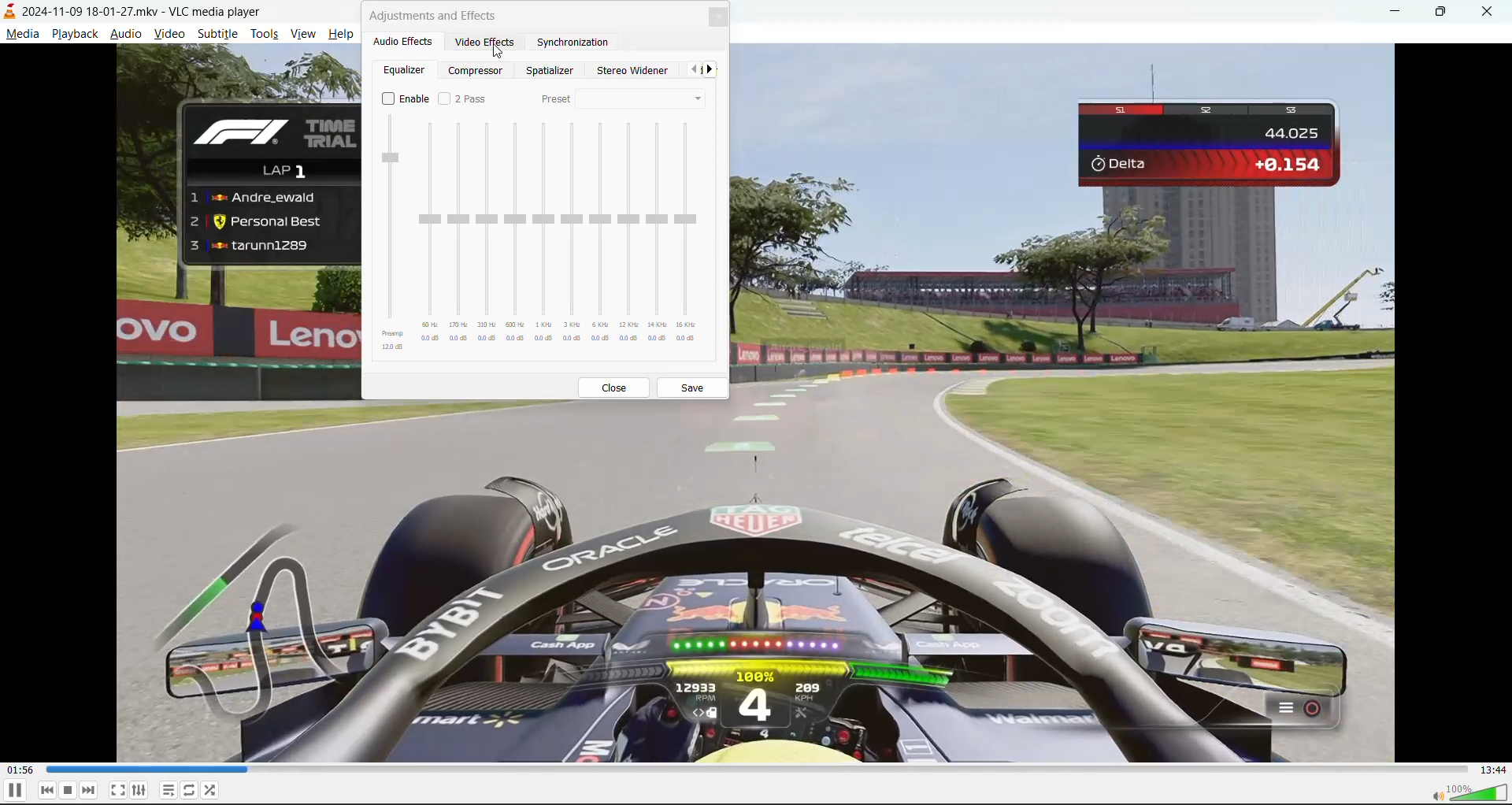 This screenshot has height=805, width=1512. I want to click on equalizer, so click(406, 73).